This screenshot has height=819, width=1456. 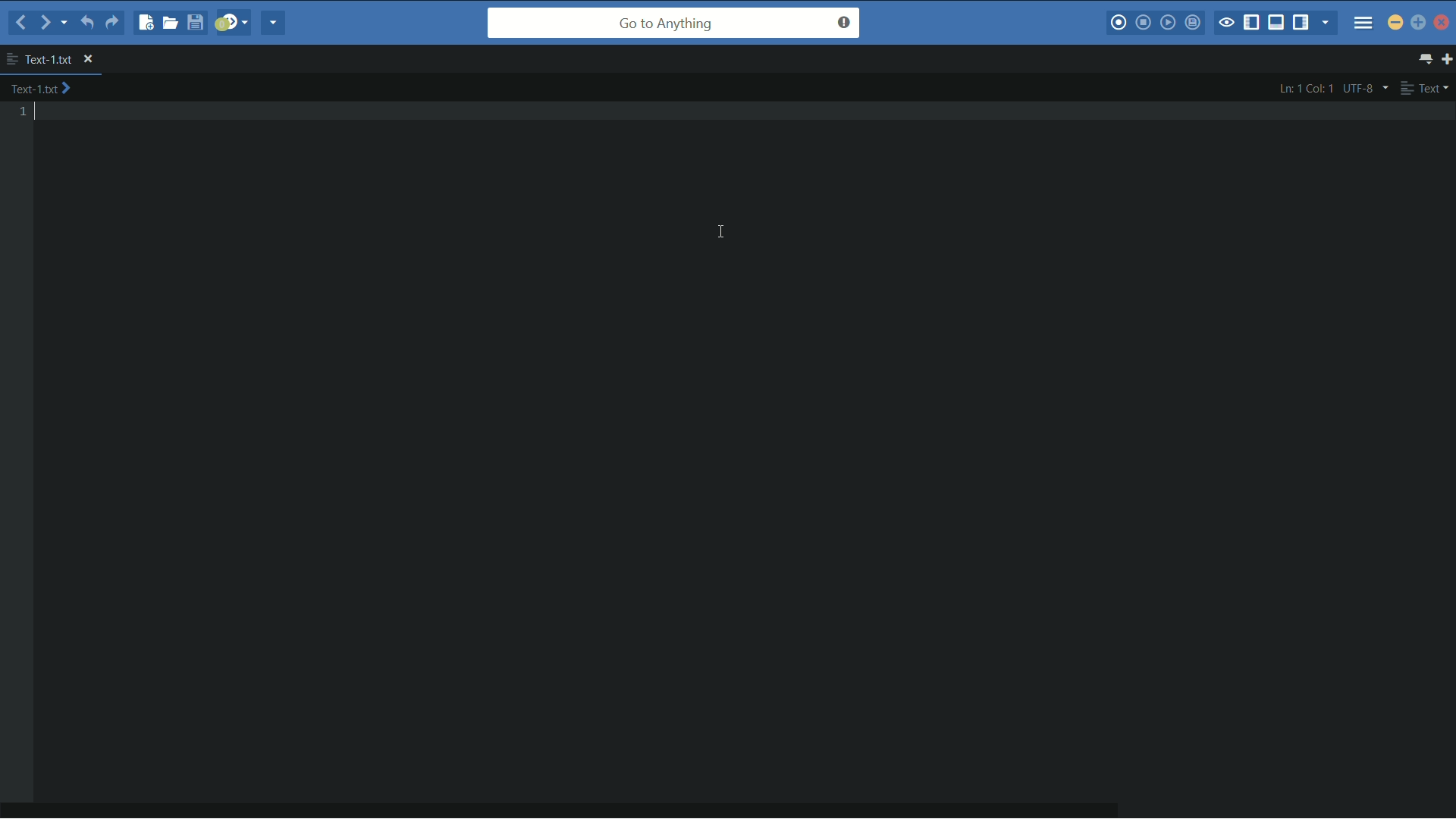 What do you see at coordinates (197, 22) in the screenshot?
I see `save file` at bounding box center [197, 22].